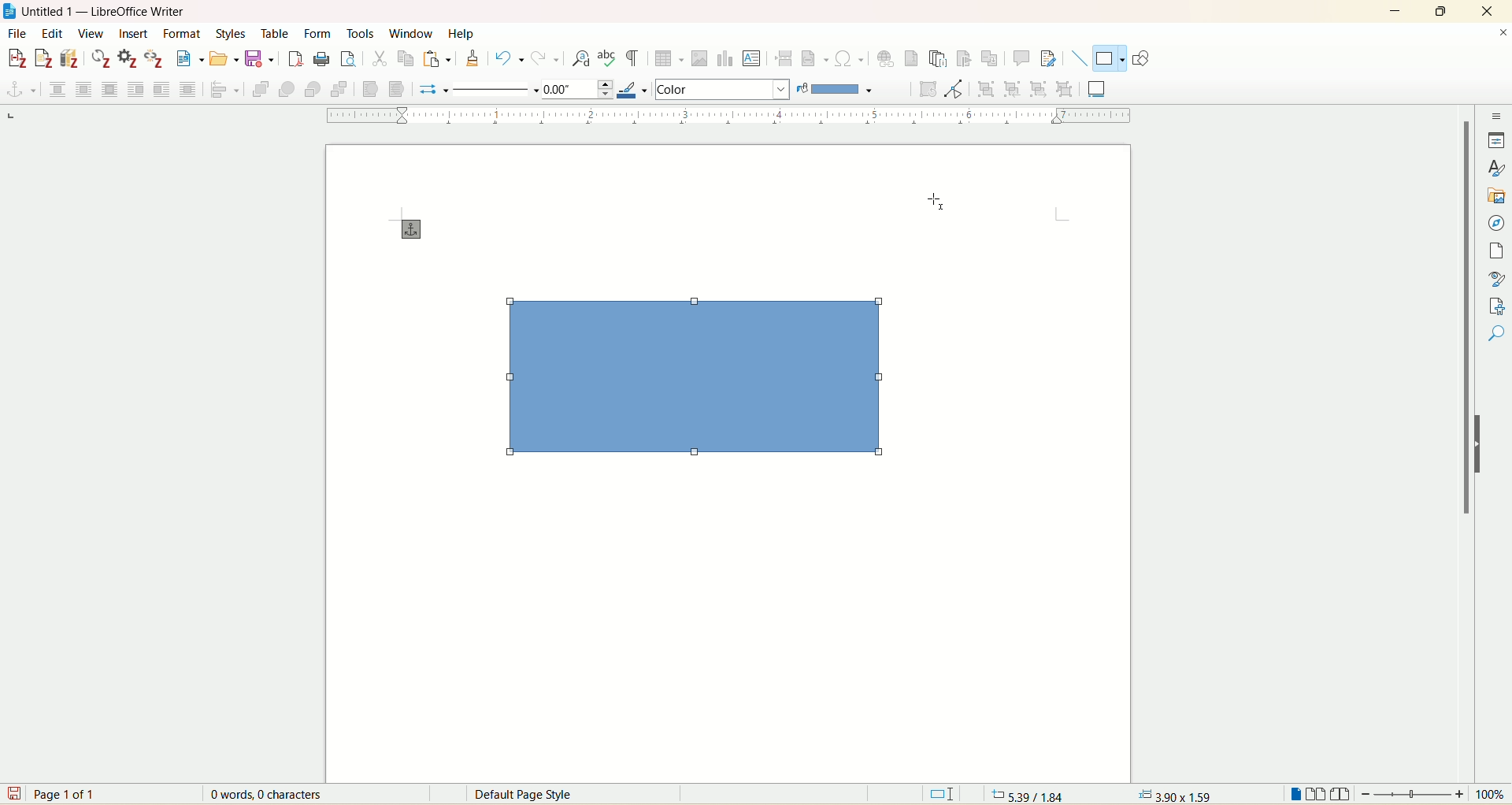 Image resolution: width=1512 pixels, height=805 pixels. What do you see at coordinates (931, 90) in the screenshot?
I see `rotate` at bounding box center [931, 90].